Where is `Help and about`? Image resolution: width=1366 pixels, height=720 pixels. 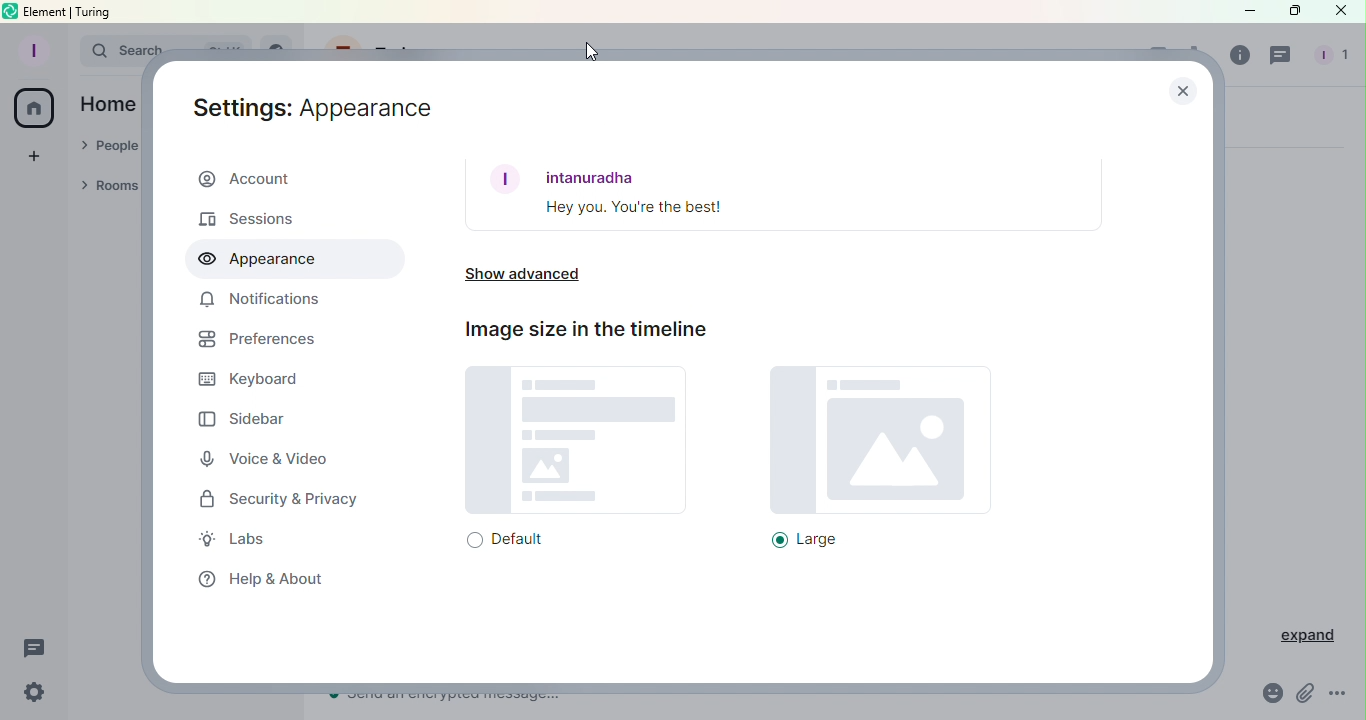
Help and about is located at coordinates (255, 577).